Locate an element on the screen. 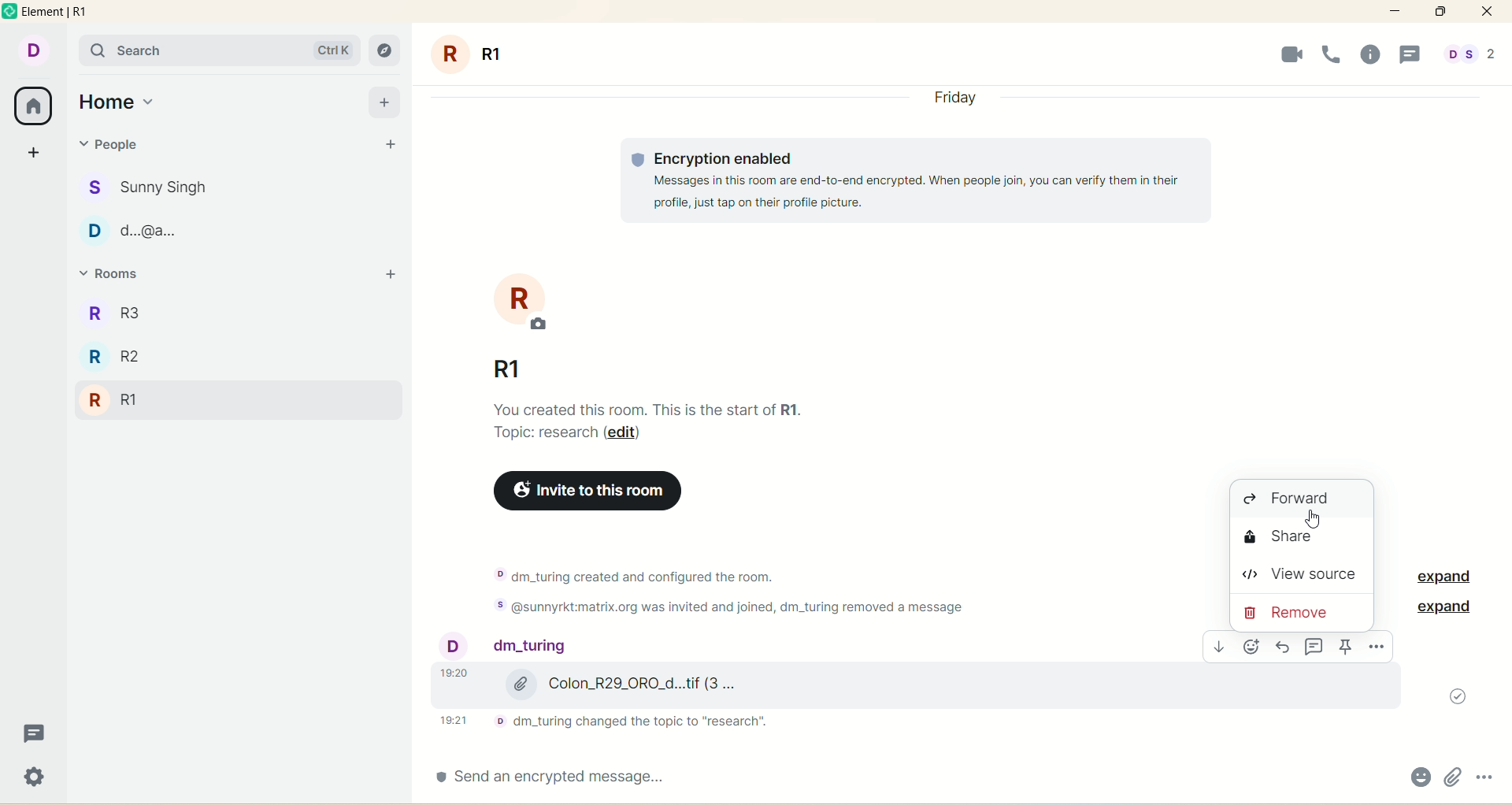 Image resolution: width=1512 pixels, height=805 pixels. close is located at coordinates (1487, 12).